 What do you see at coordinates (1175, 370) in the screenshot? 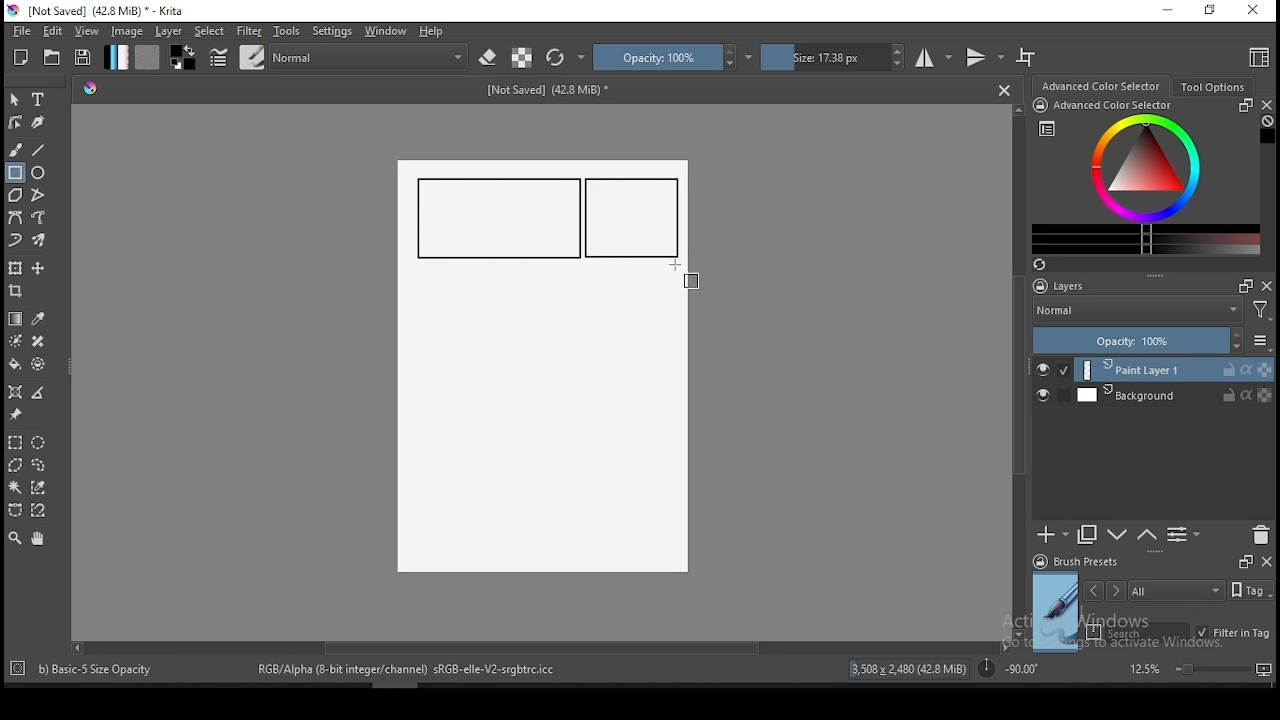
I see `layer` at bounding box center [1175, 370].